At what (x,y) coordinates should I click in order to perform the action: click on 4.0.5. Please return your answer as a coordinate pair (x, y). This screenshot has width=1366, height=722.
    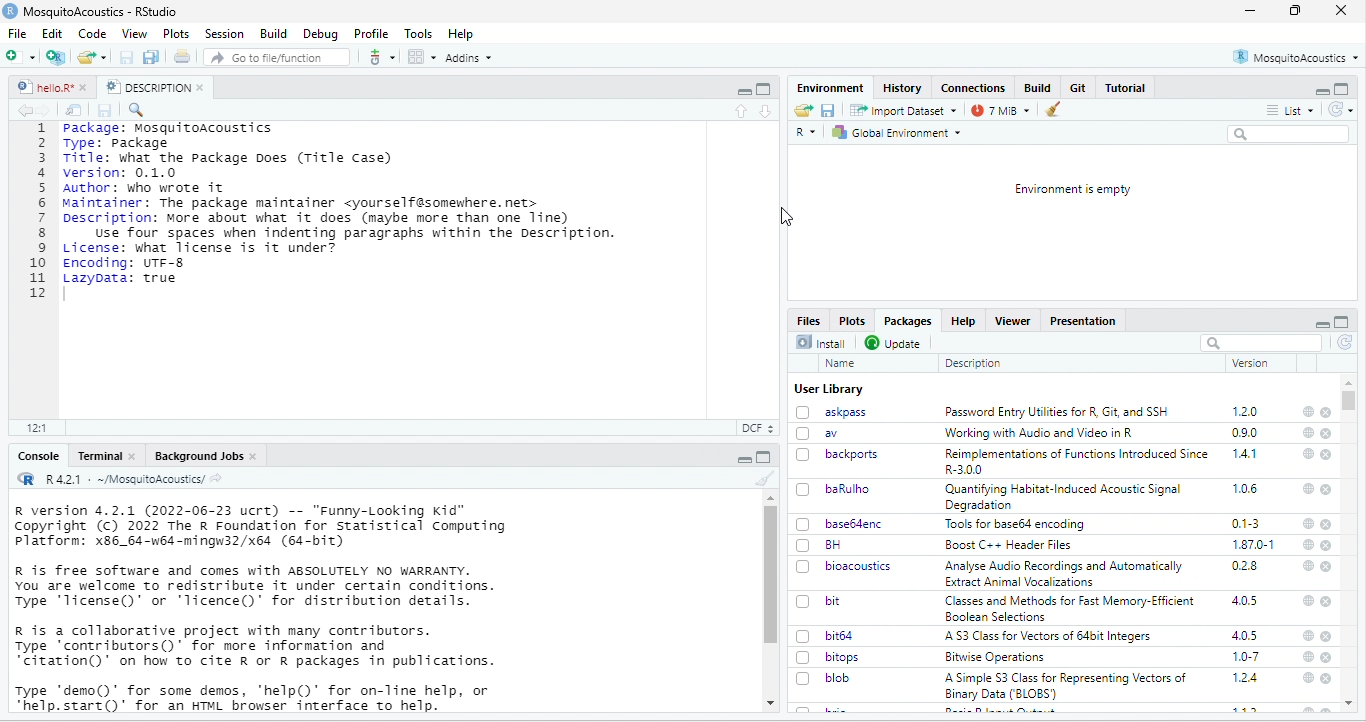
    Looking at the image, I should click on (1245, 636).